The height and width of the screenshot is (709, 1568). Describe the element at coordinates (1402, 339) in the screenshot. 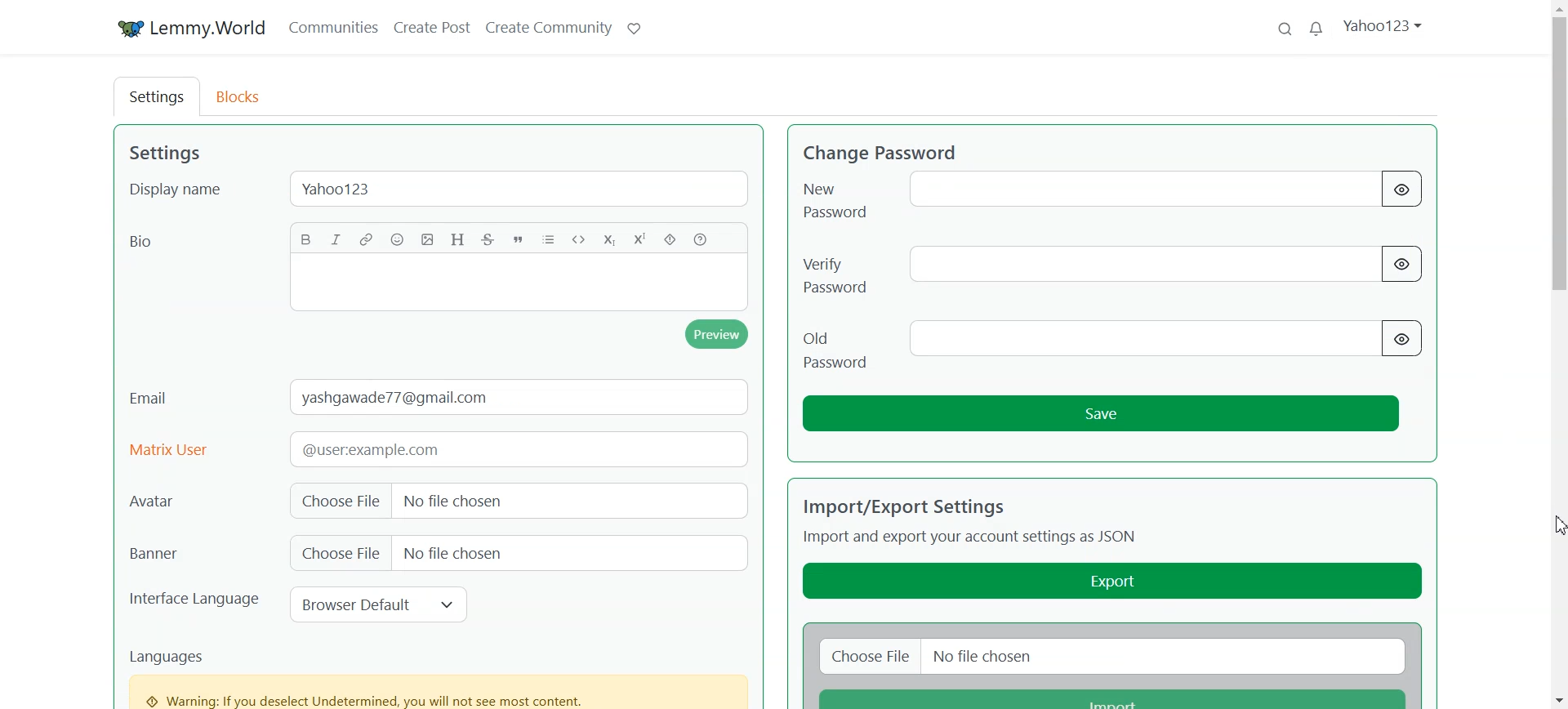

I see `View Password` at that location.